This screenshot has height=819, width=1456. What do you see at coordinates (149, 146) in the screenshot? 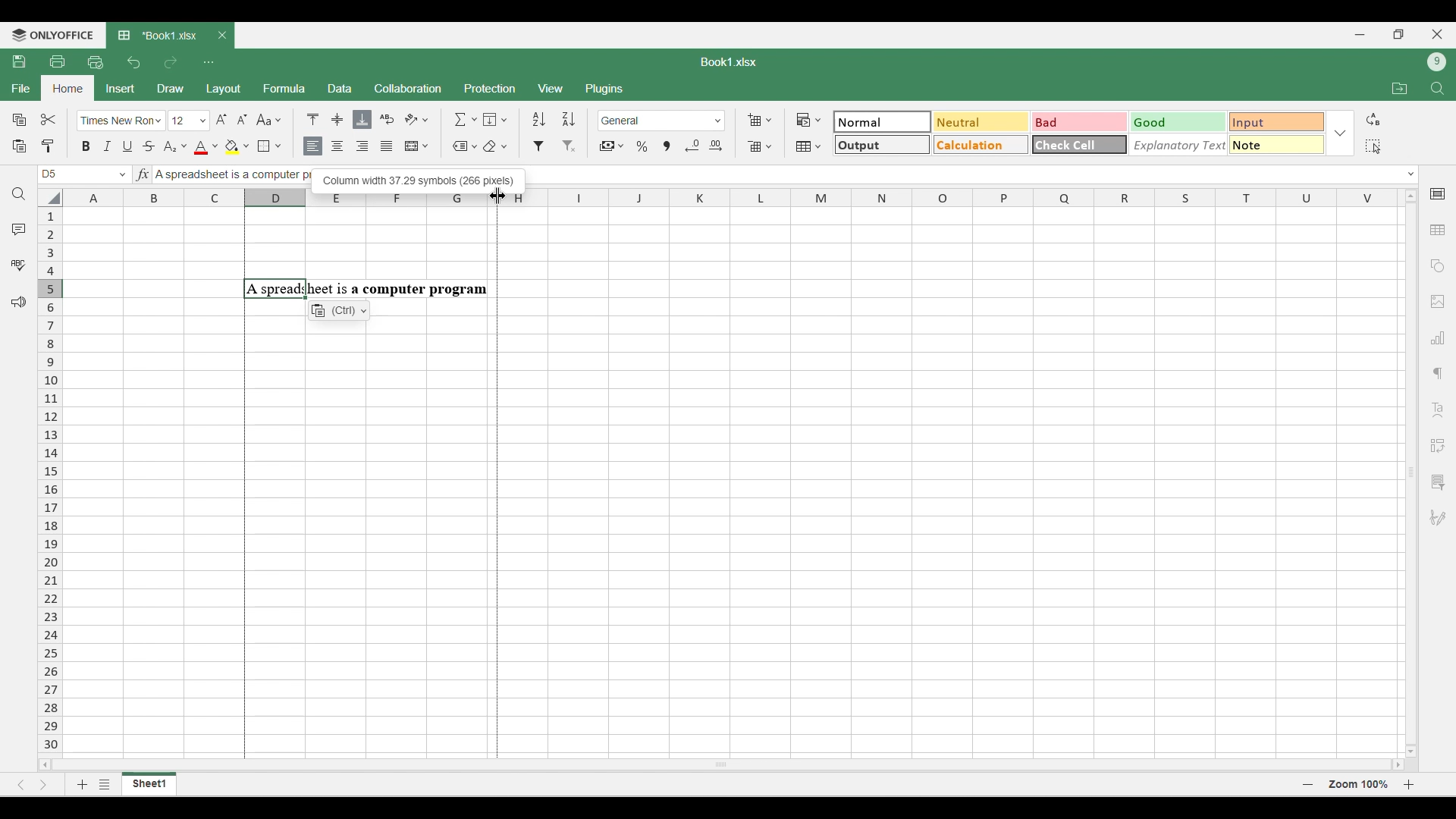
I see `Strike through ` at bounding box center [149, 146].